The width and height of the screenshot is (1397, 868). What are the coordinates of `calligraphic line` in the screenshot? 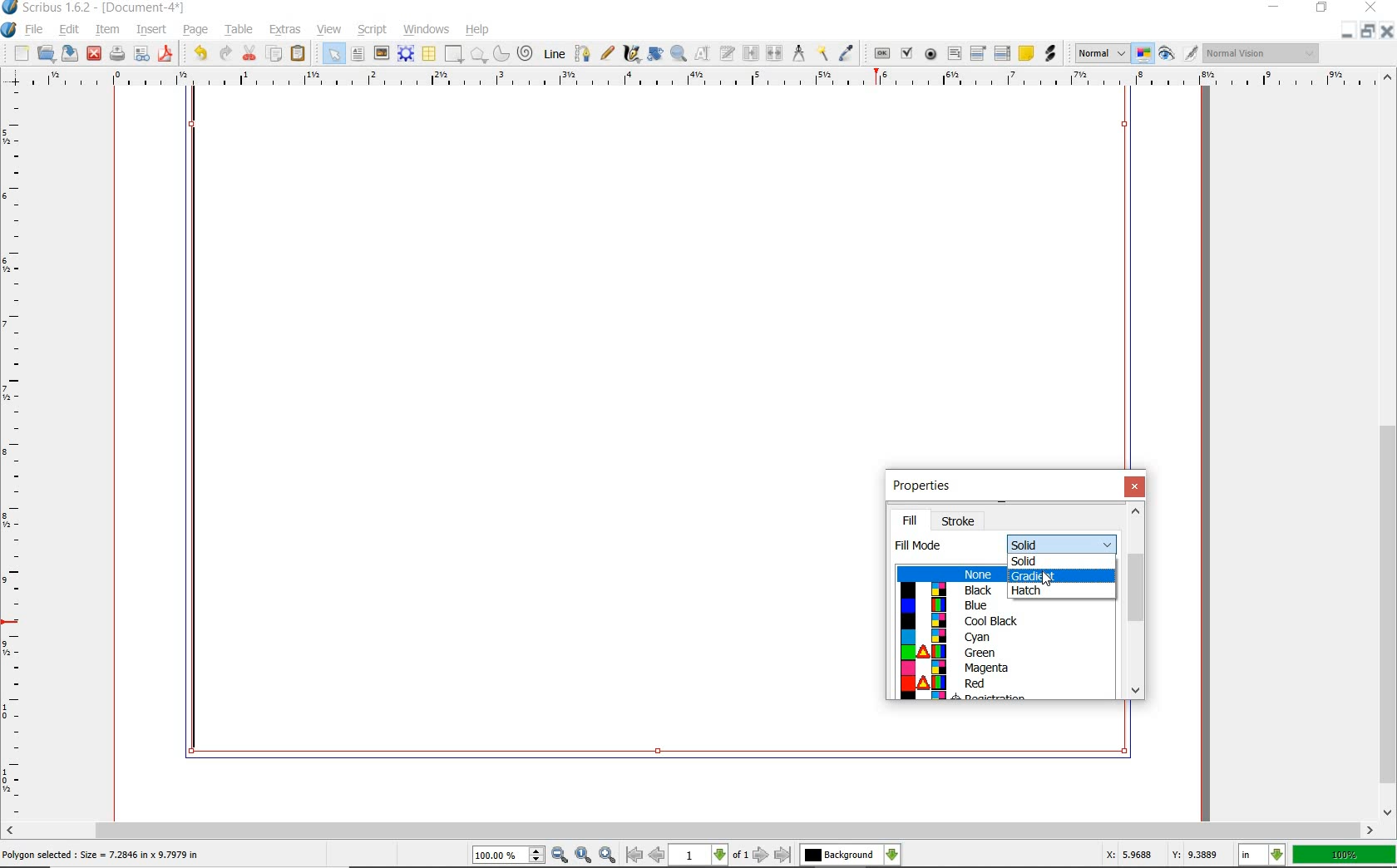 It's located at (631, 53).